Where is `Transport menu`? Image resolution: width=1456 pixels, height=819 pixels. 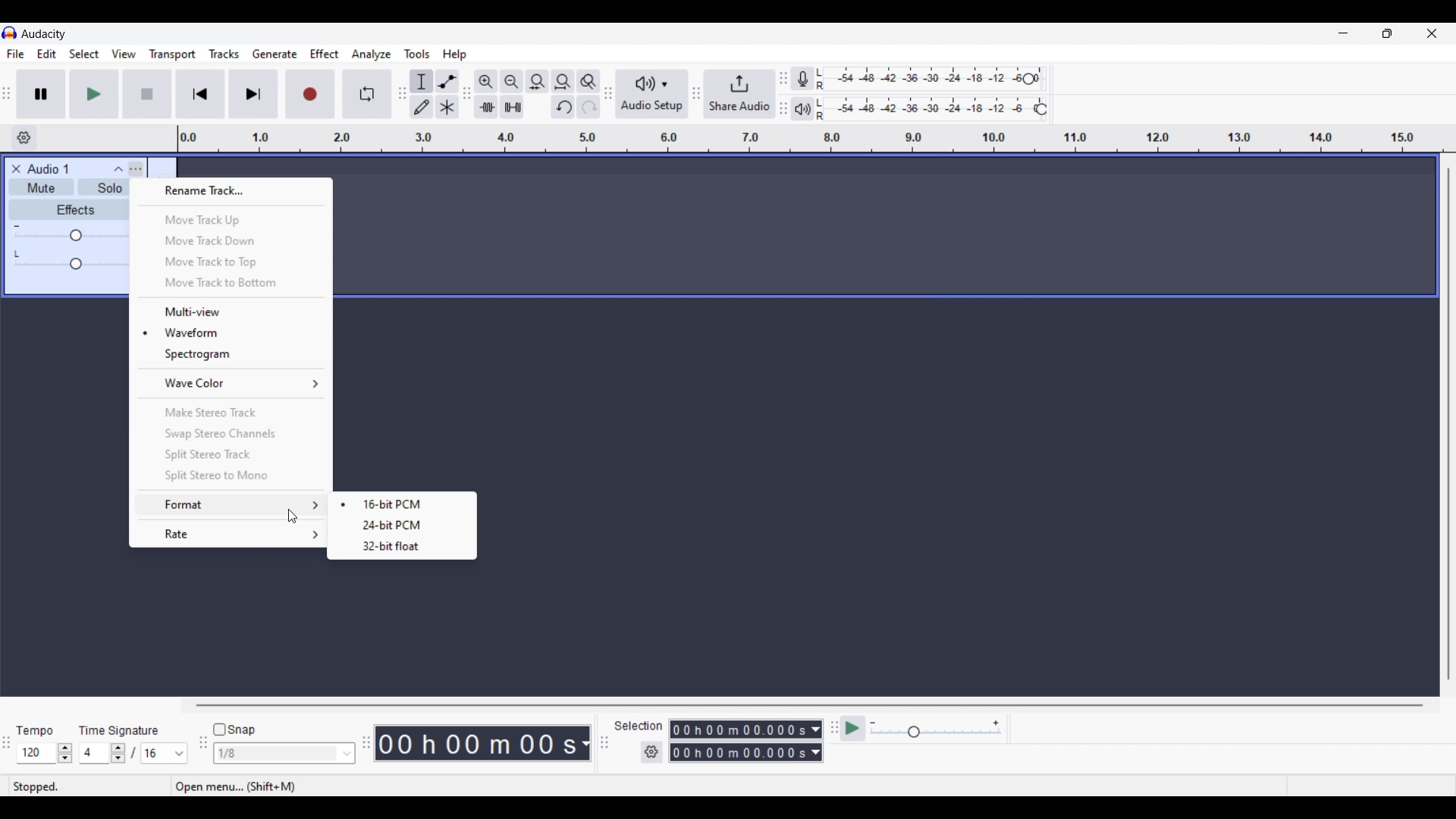 Transport menu is located at coordinates (173, 54).